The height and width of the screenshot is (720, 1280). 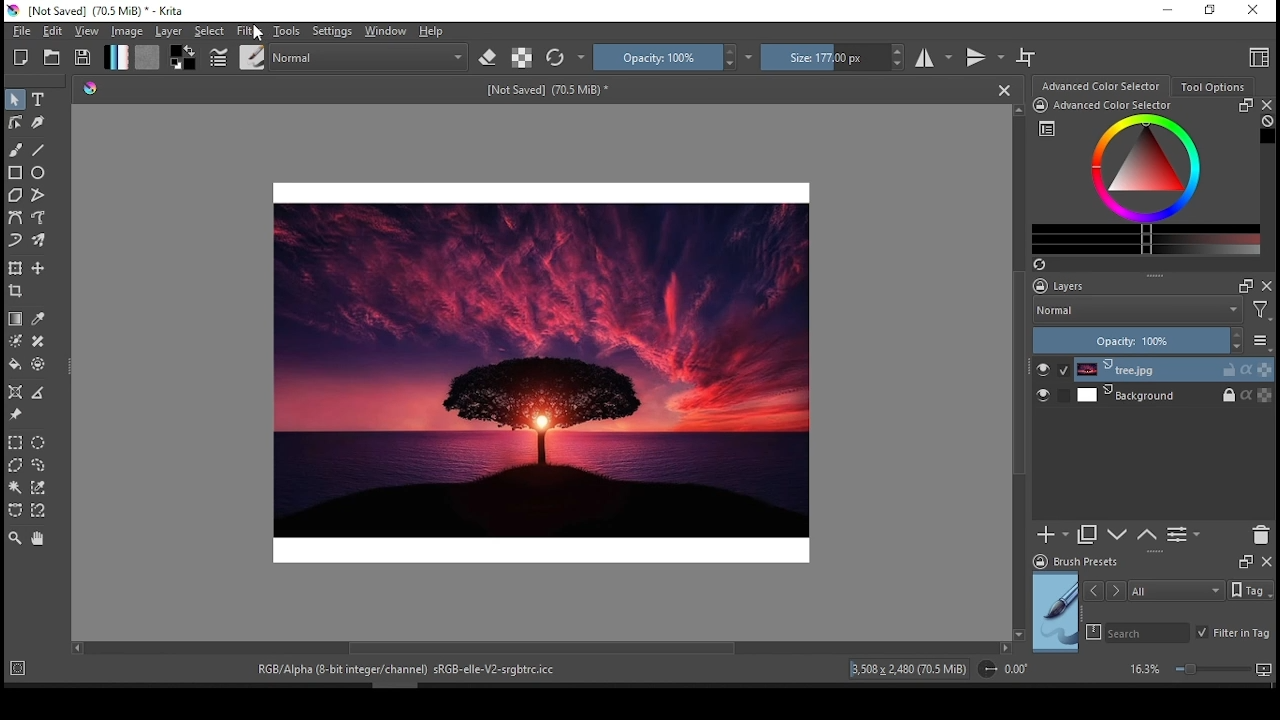 I want to click on open, so click(x=52, y=58).